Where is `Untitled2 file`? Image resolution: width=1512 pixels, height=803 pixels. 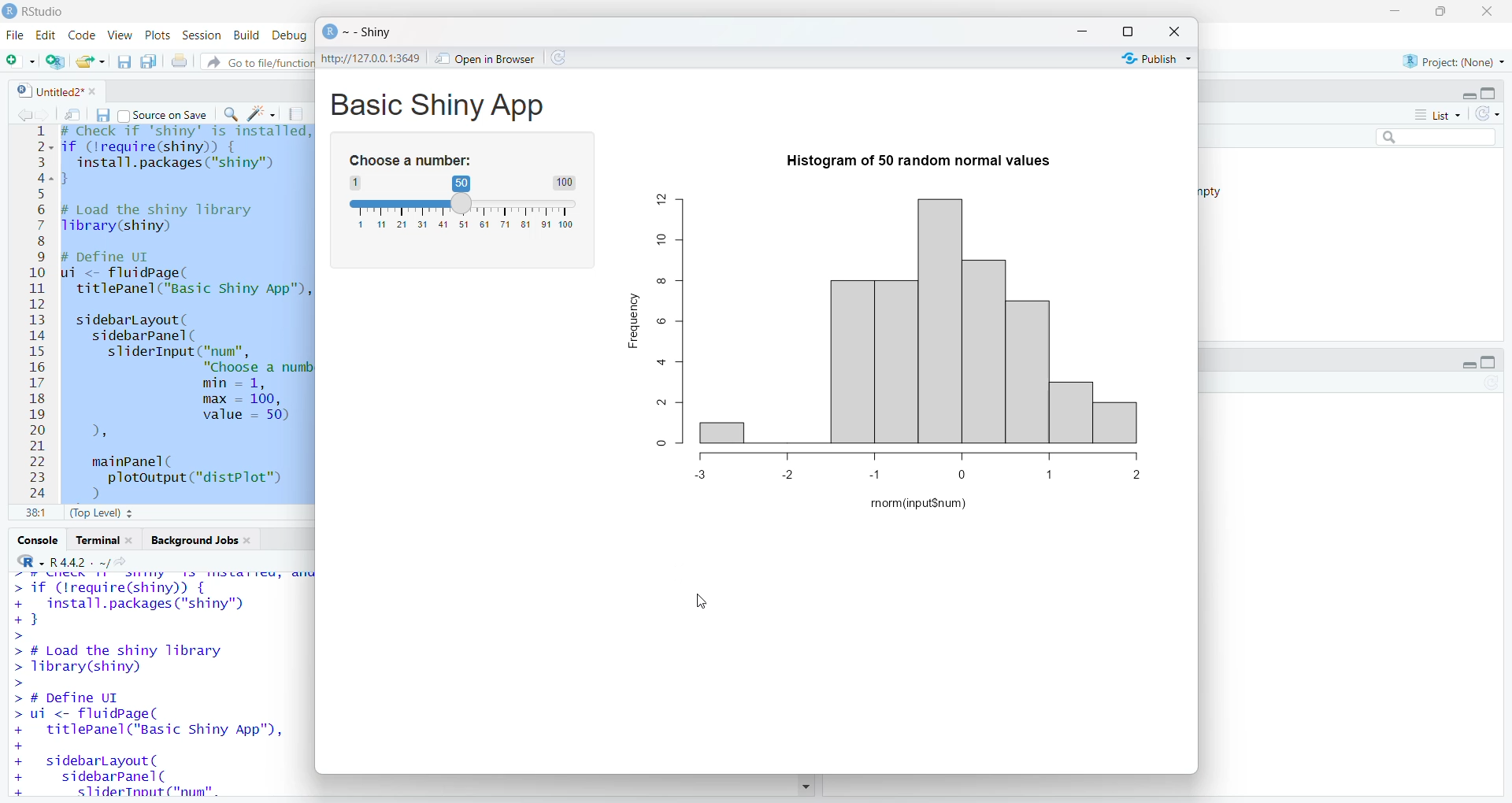
Untitled2 file is located at coordinates (48, 91).